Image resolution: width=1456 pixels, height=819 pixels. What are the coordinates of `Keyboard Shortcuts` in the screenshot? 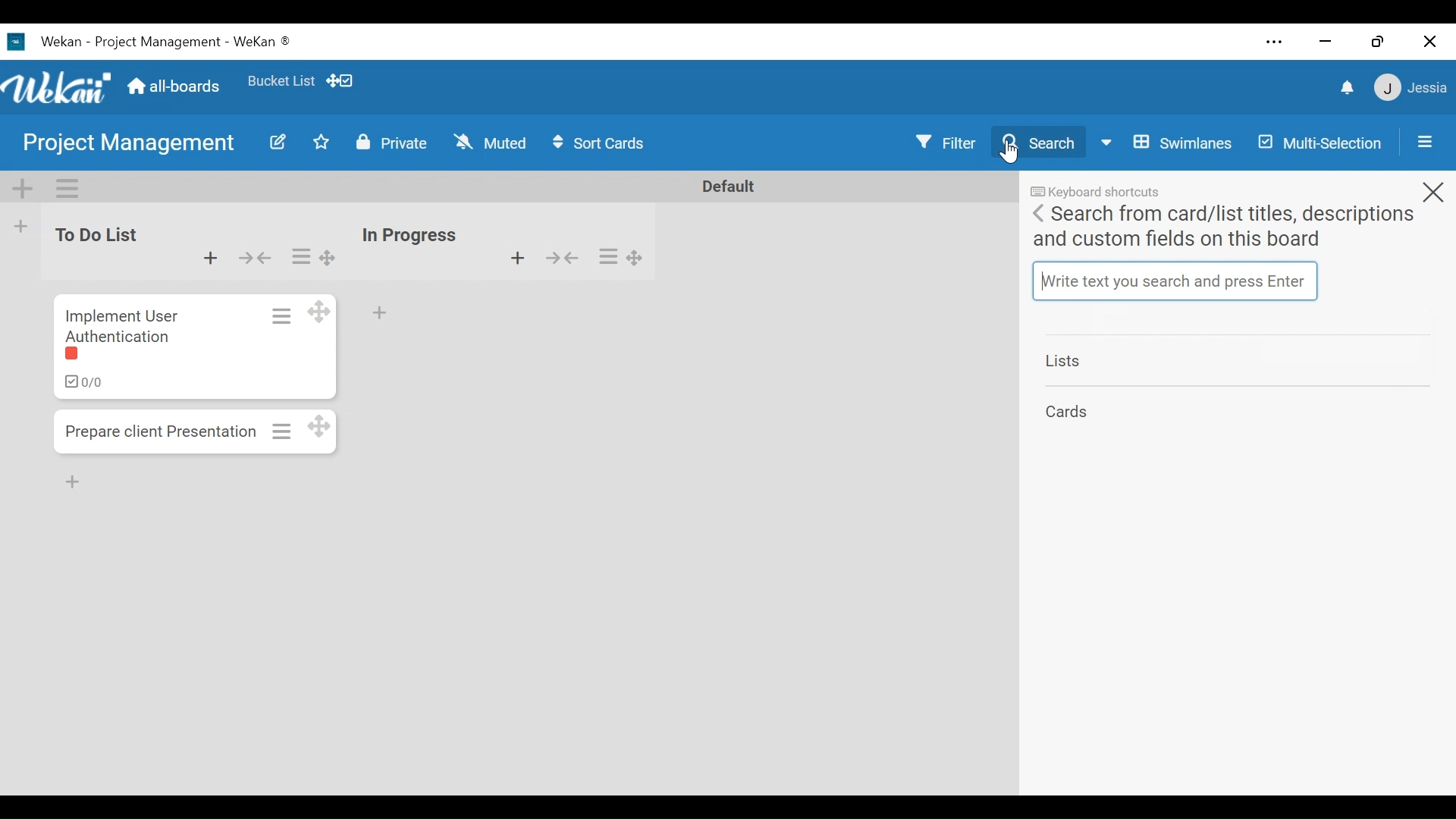 It's located at (1094, 192).